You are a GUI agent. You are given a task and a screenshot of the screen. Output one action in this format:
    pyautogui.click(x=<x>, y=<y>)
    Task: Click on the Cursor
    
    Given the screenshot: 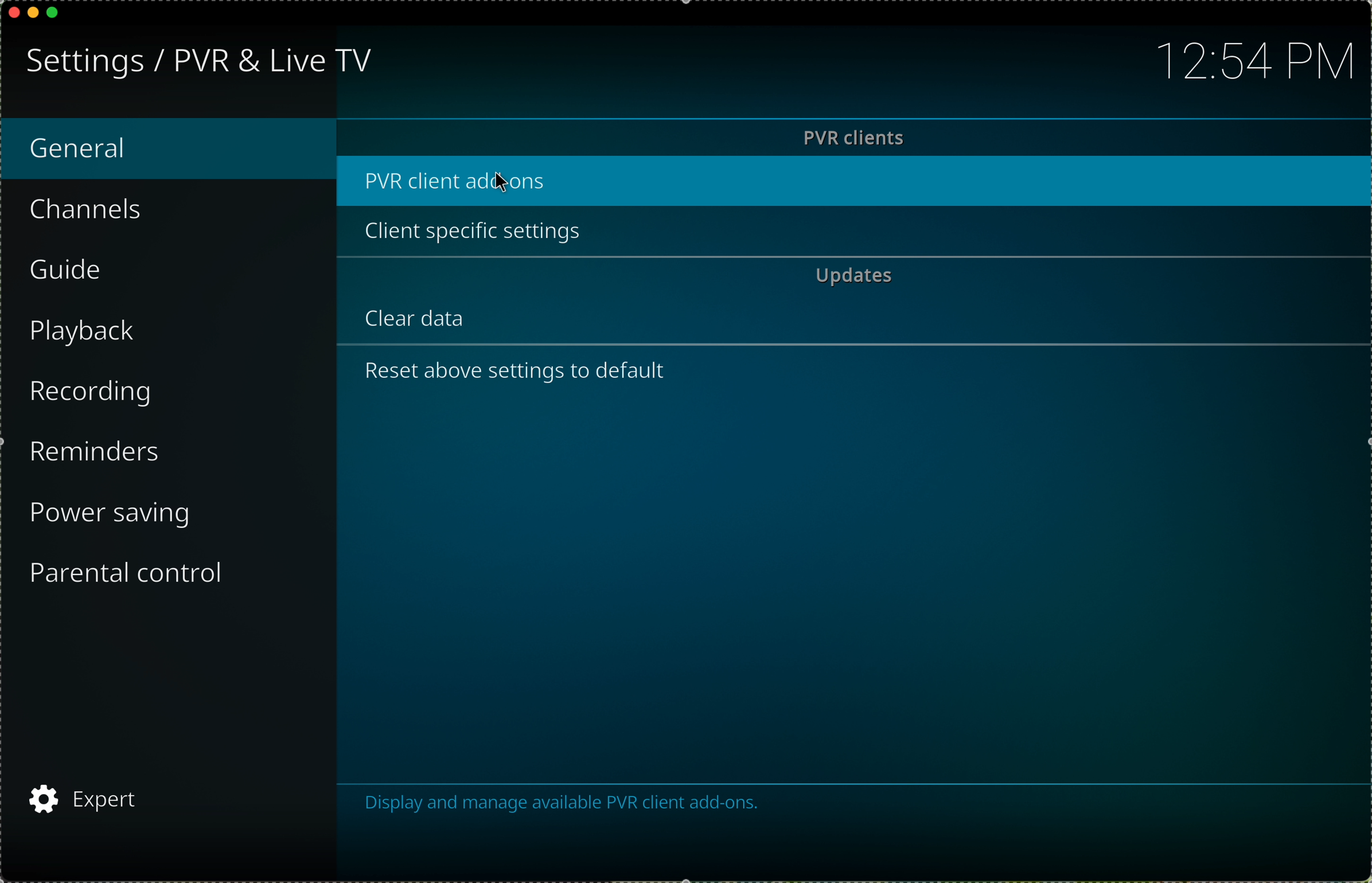 What is the action you would take?
    pyautogui.click(x=498, y=185)
    